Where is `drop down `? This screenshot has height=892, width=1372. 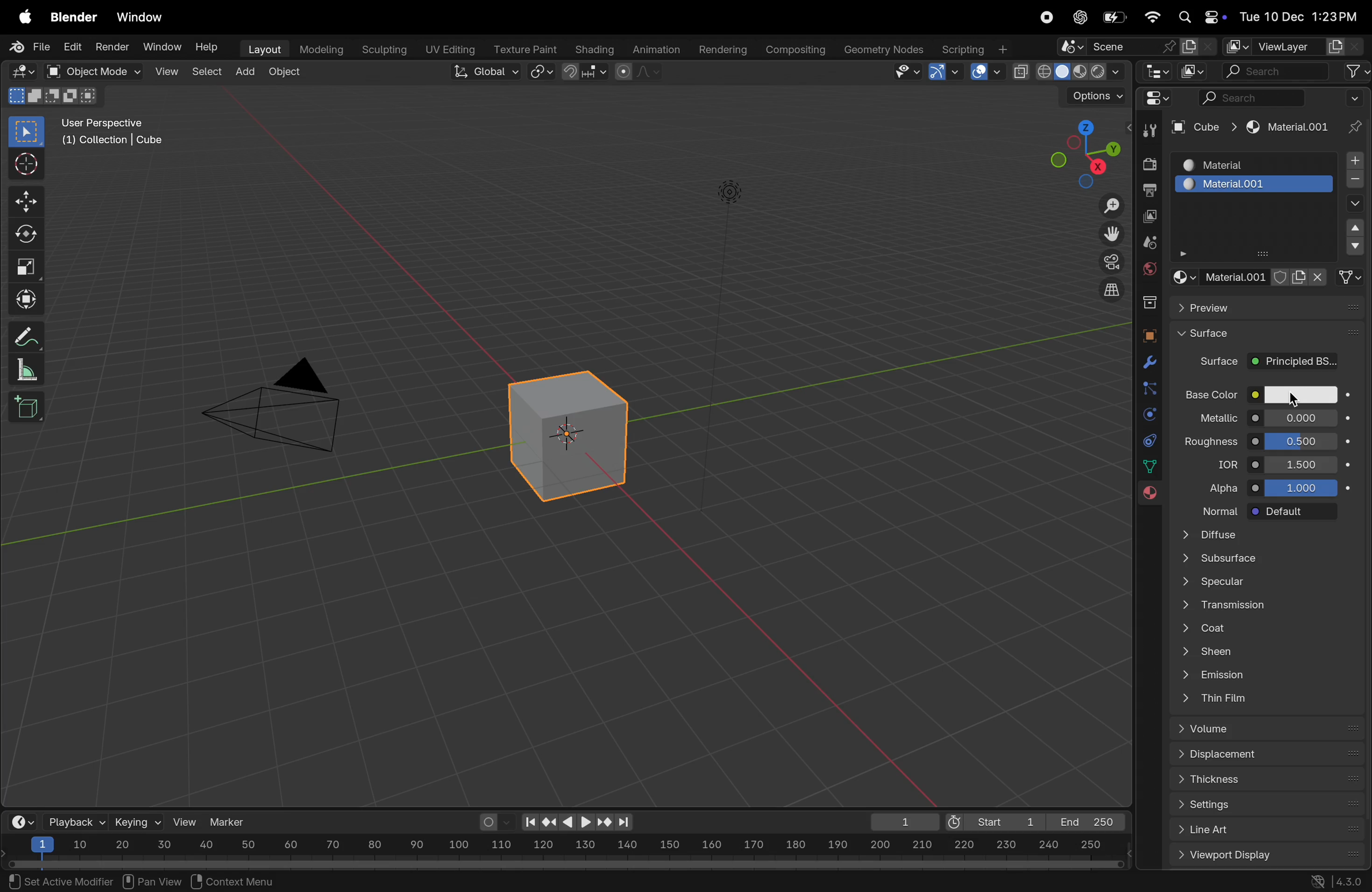 drop down  is located at coordinates (1356, 230).